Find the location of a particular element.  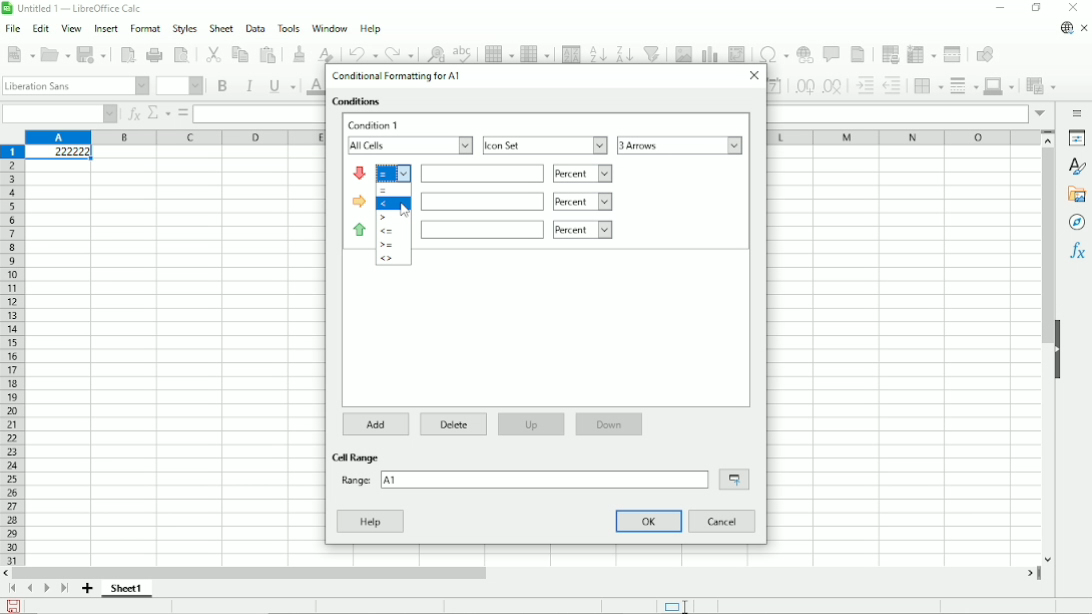

Formula is located at coordinates (183, 113).